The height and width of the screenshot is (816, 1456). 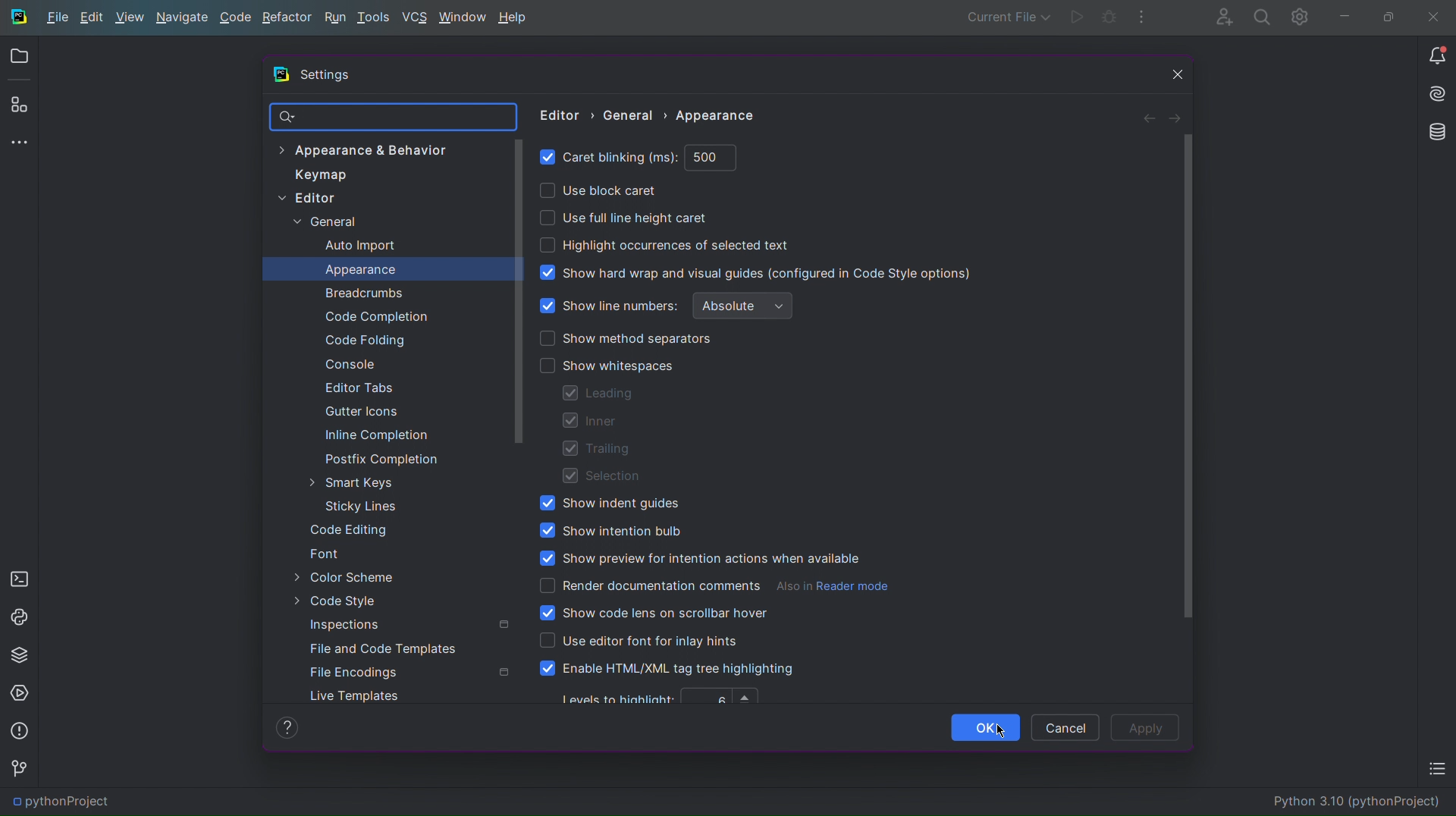 I want to click on Problems, so click(x=20, y=732).